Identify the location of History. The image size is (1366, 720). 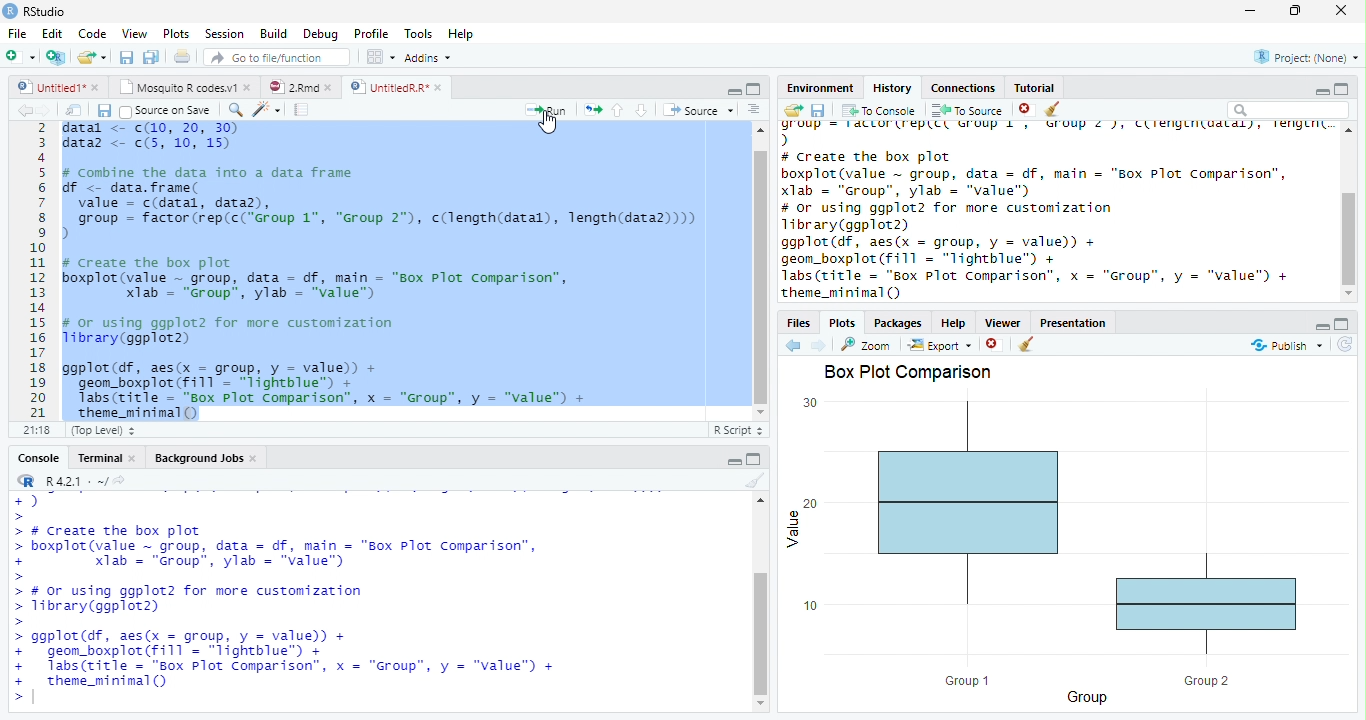
(893, 88).